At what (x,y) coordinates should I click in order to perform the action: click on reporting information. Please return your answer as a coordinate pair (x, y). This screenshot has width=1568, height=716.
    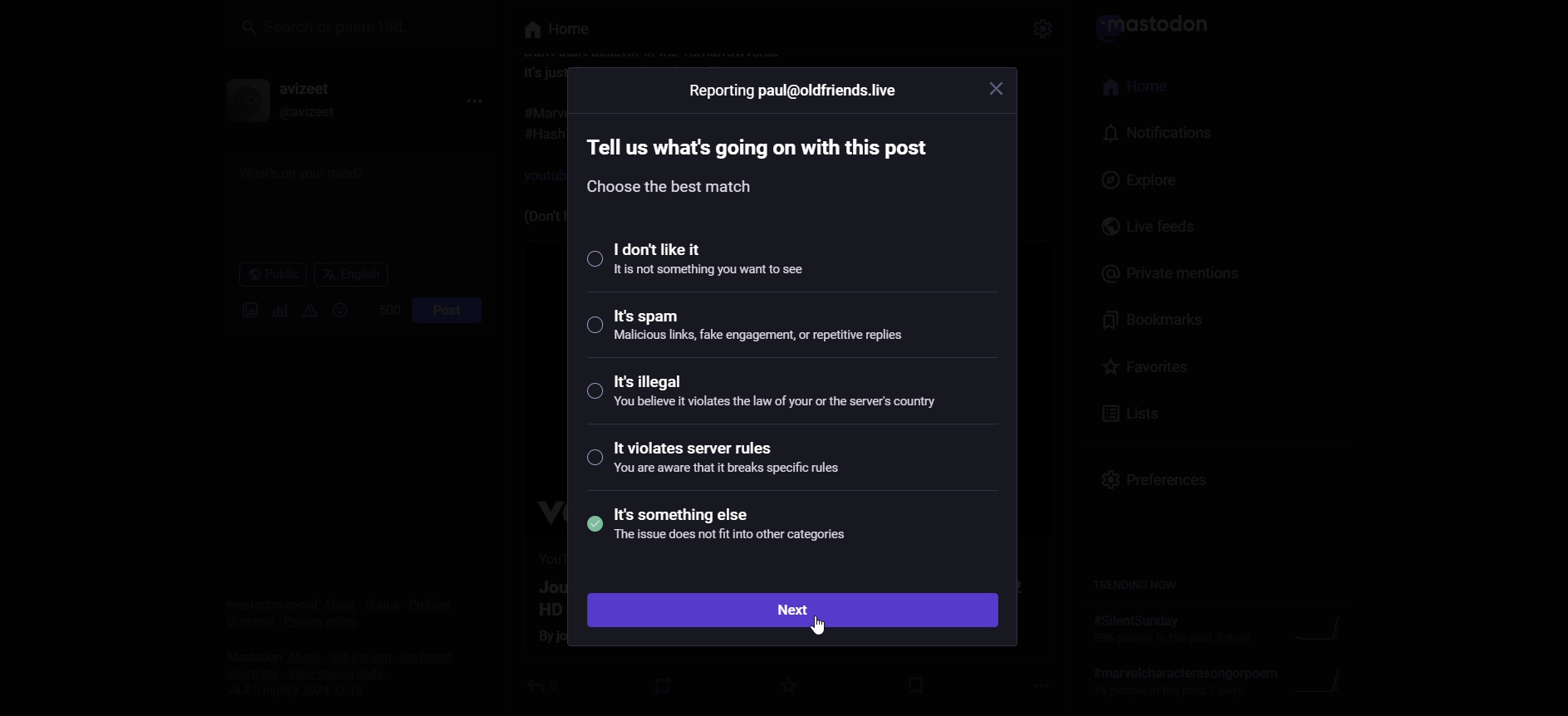
    Looking at the image, I should click on (791, 91).